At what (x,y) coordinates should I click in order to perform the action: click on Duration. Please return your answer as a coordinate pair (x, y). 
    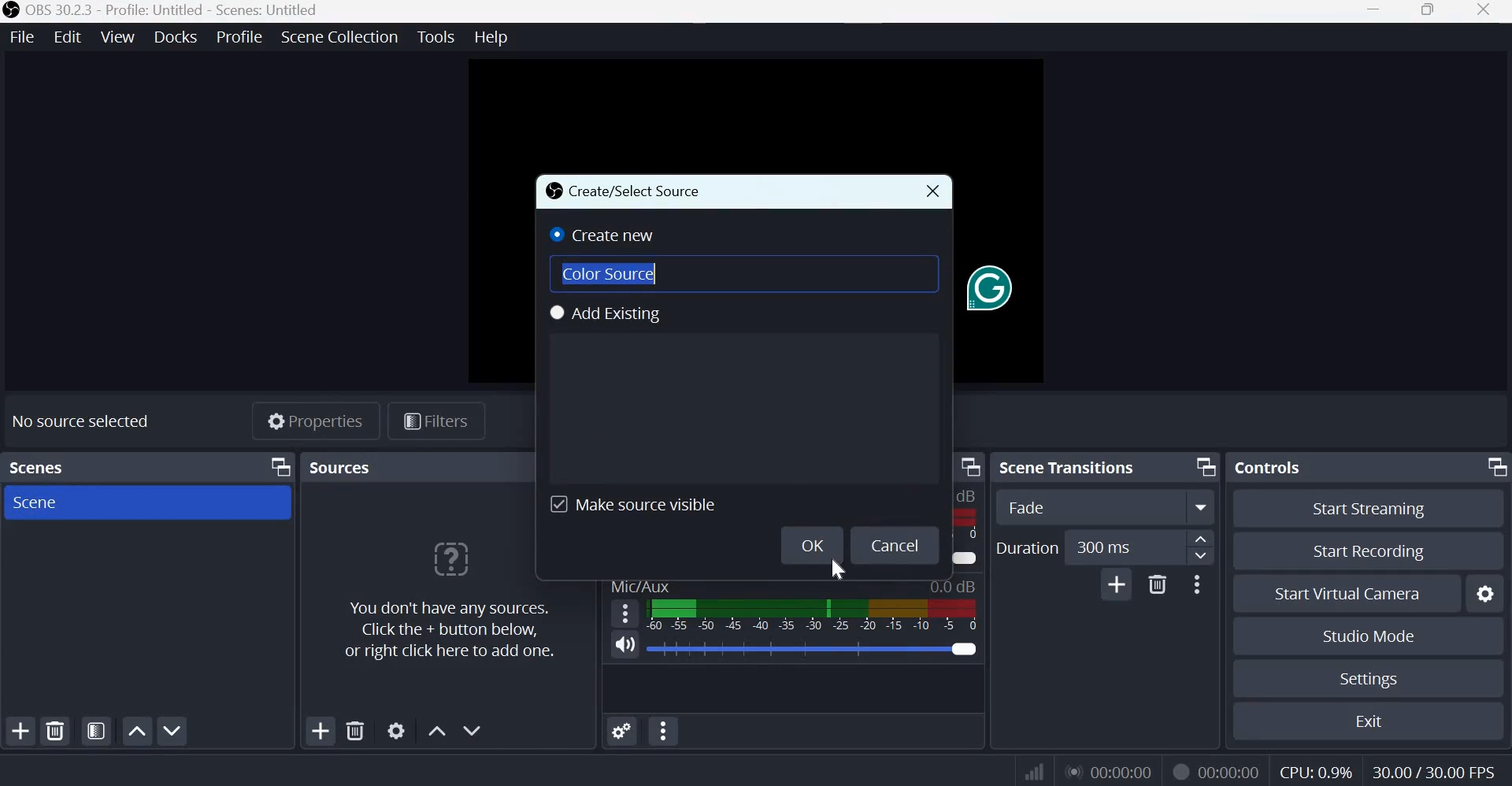
    Looking at the image, I should click on (1026, 547).